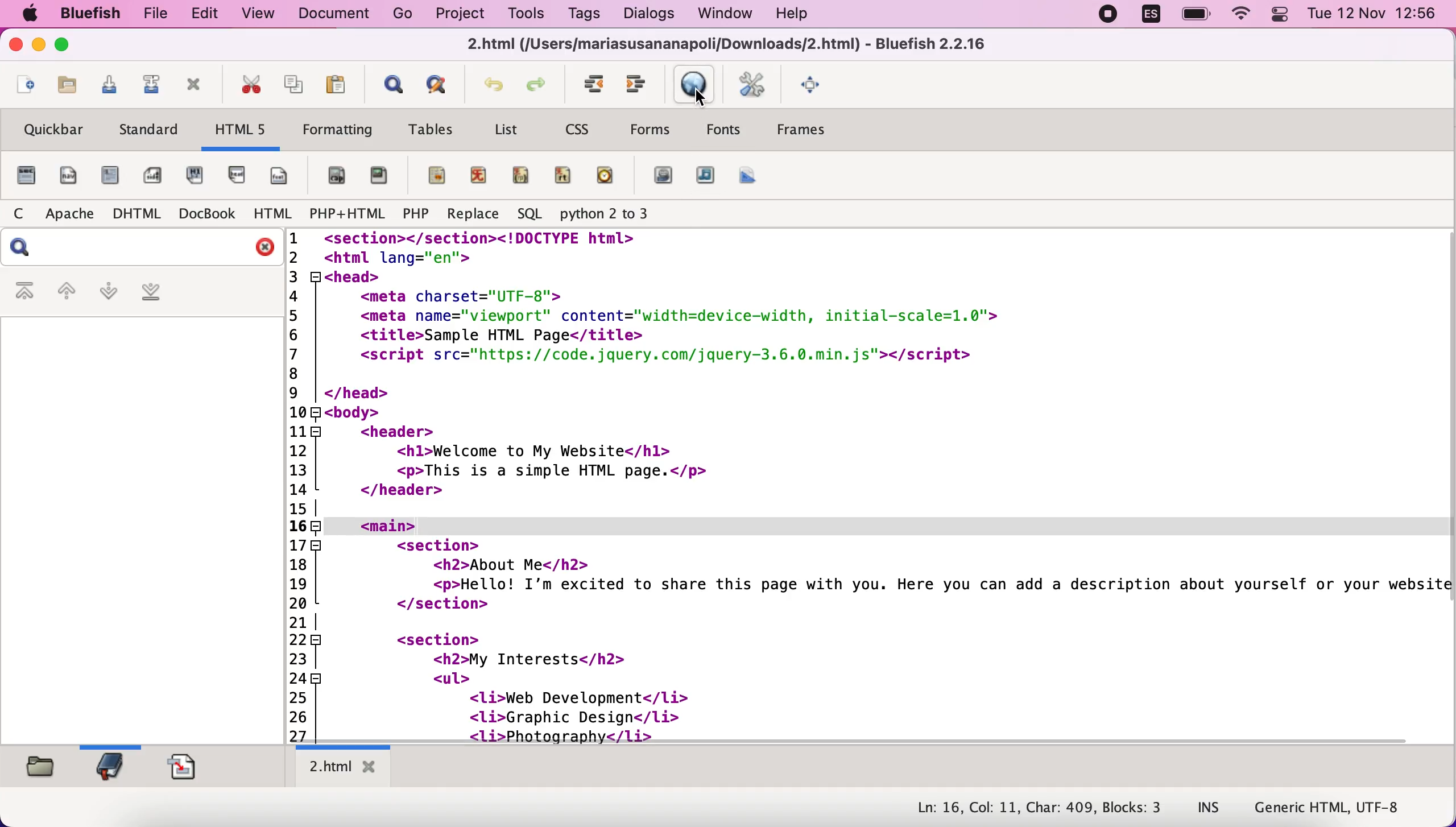 The image size is (1456, 827). I want to click on apache, so click(68, 215).